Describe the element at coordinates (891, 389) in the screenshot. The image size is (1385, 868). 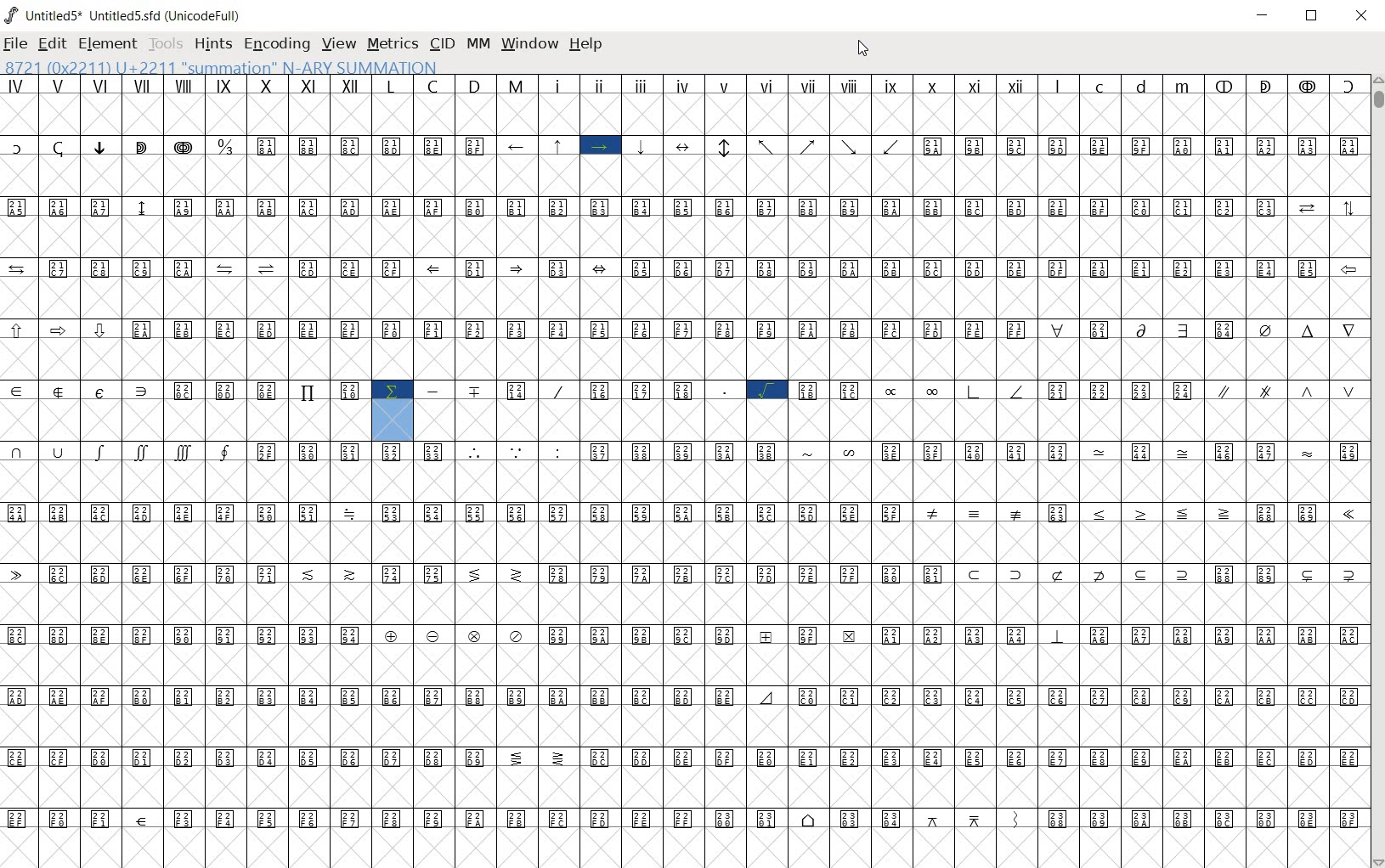
I see `` at that location.